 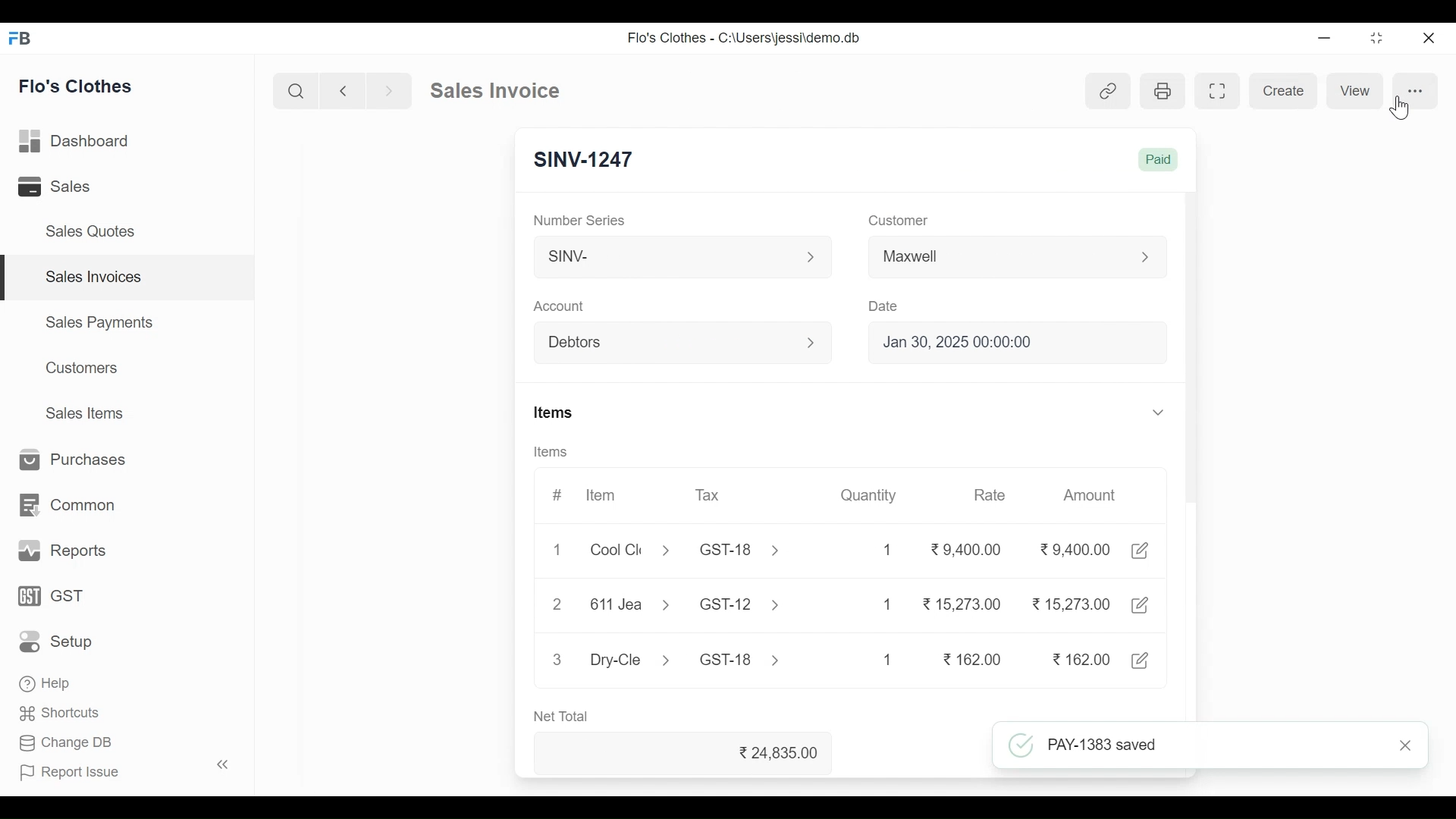 I want to click on Tax, so click(x=711, y=495).